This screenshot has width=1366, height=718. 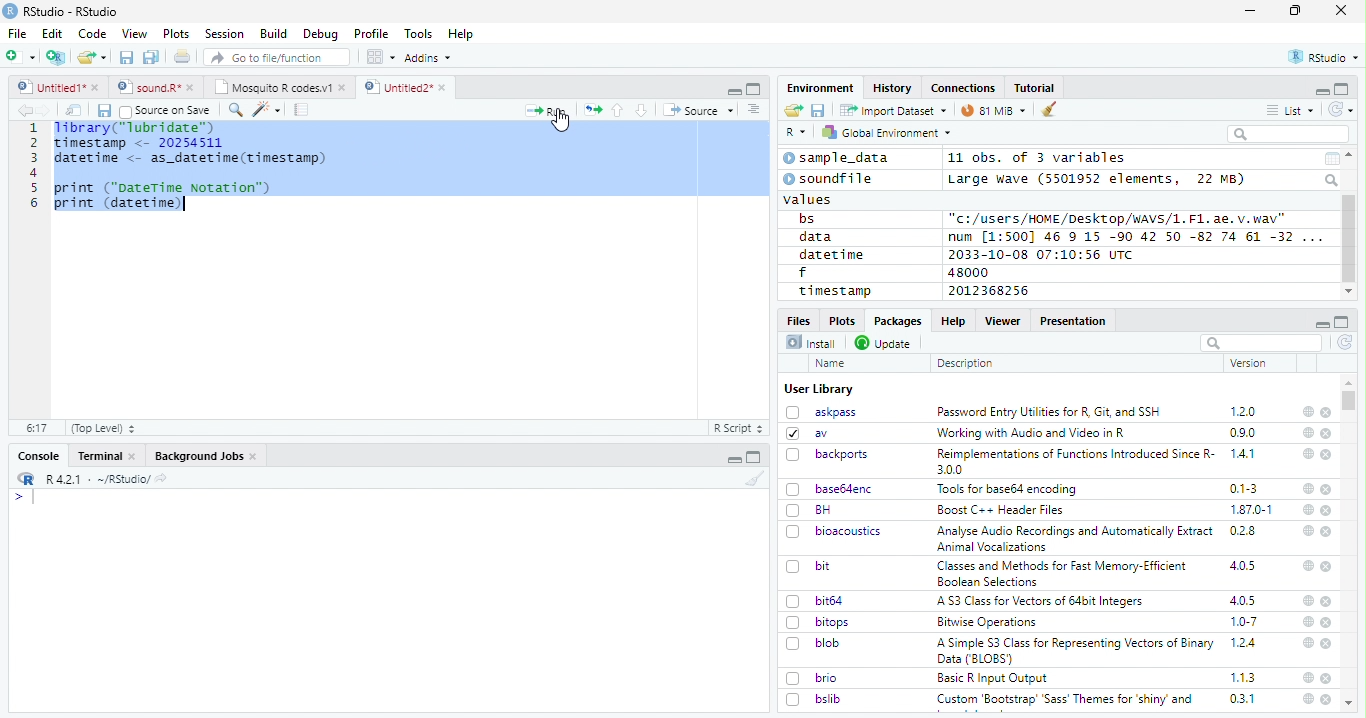 What do you see at coordinates (95, 479) in the screenshot?
I see `R 4.2.1 - ~/RStudio/` at bounding box center [95, 479].